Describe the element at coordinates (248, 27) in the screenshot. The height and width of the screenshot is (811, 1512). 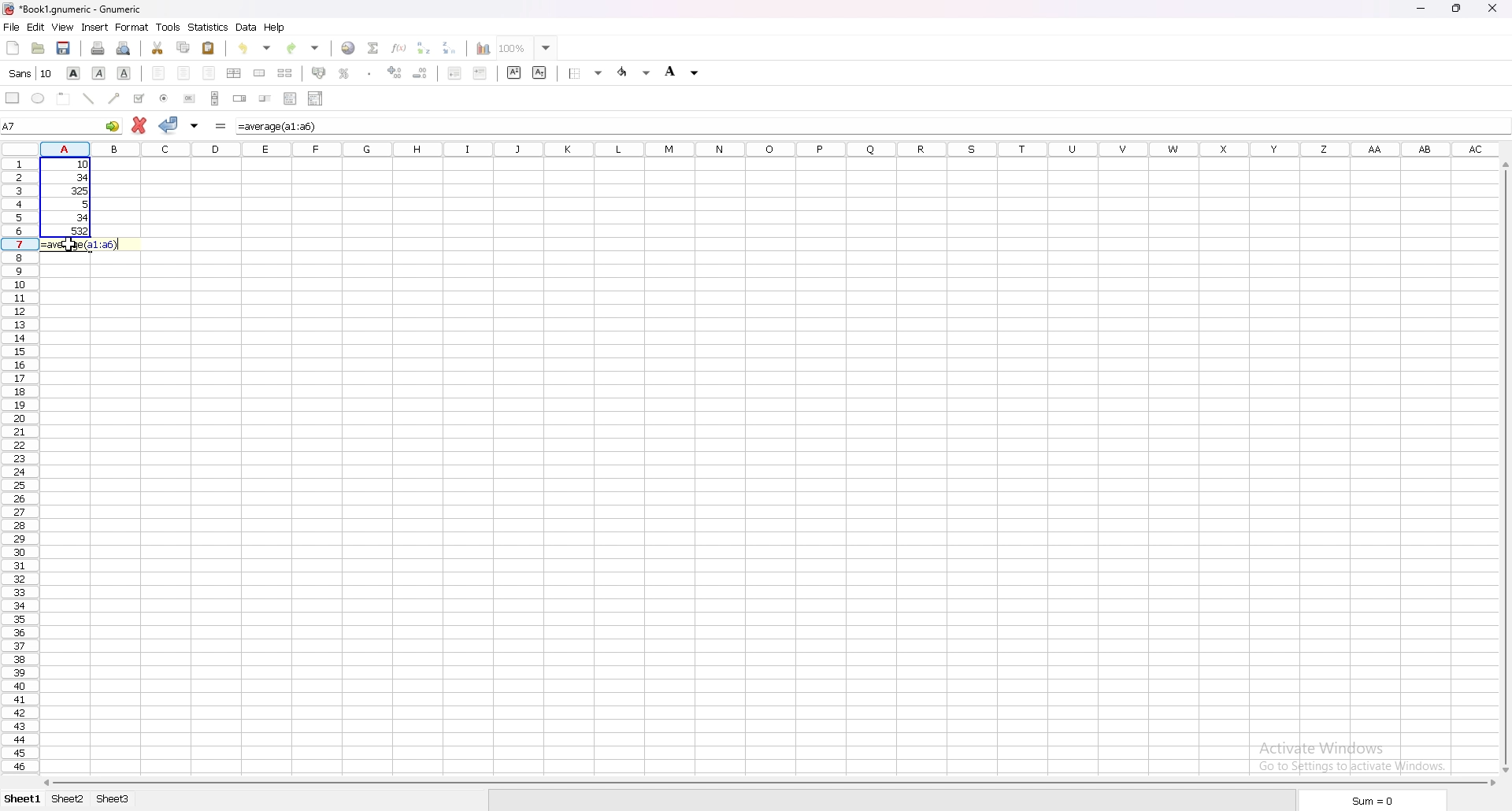
I see `data` at that location.